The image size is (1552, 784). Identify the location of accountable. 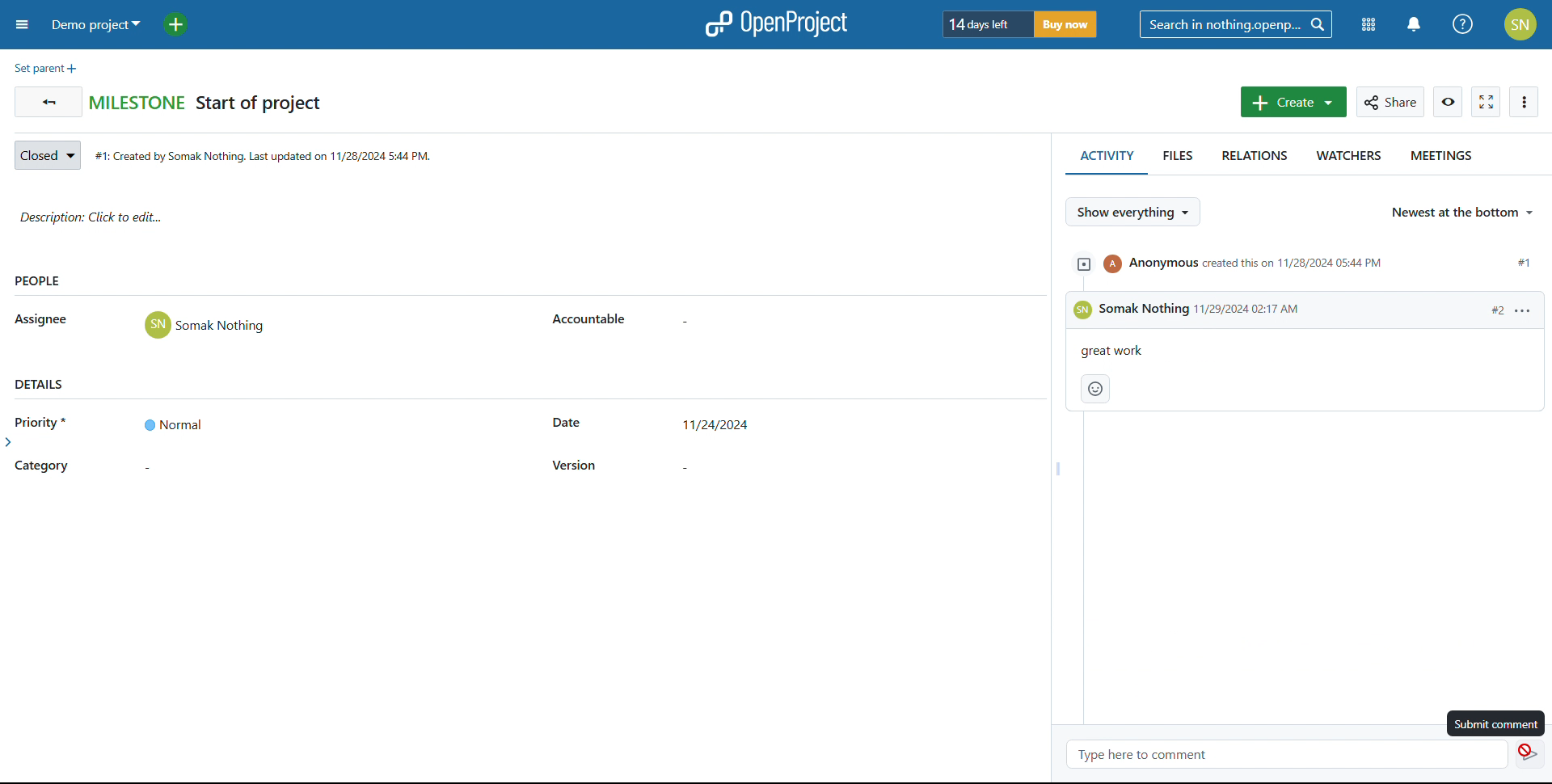
(591, 320).